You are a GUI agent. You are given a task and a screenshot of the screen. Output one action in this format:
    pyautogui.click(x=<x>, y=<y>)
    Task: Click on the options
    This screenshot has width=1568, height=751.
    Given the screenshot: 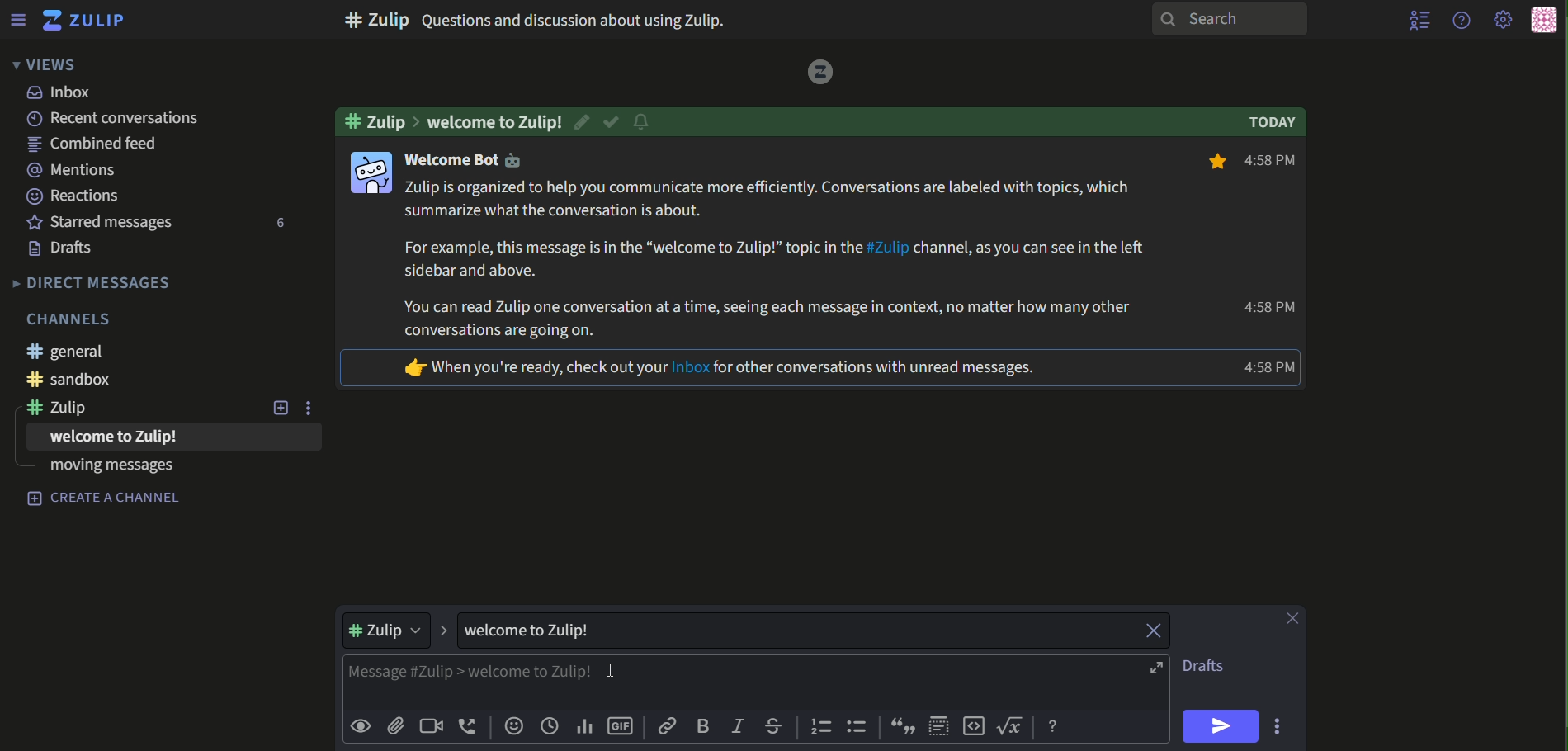 What is the action you would take?
    pyautogui.click(x=314, y=408)
    